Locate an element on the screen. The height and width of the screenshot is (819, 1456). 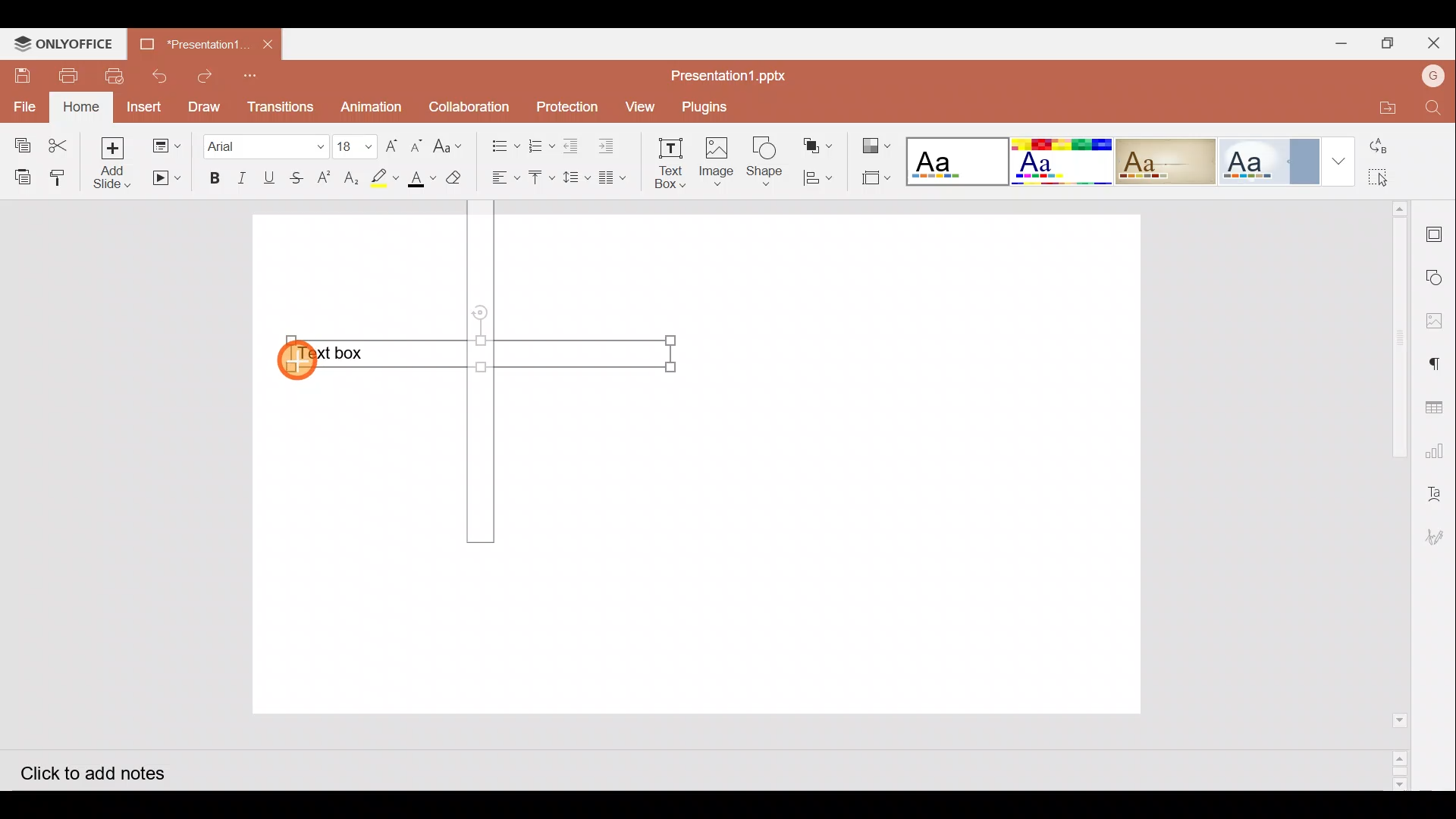
Official is located at coordinates (1269, 161).